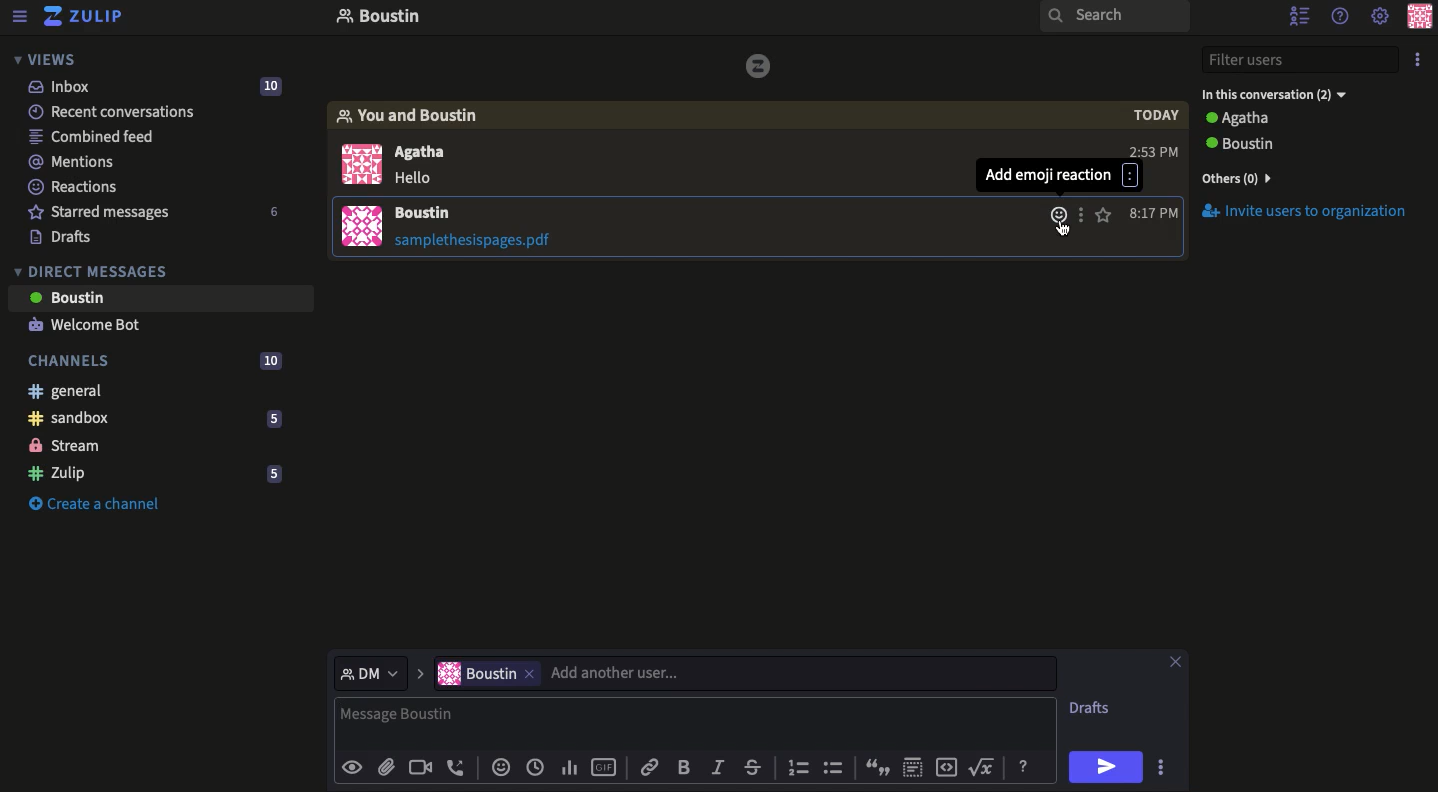  I want to click on Star, so click(1103, 214).